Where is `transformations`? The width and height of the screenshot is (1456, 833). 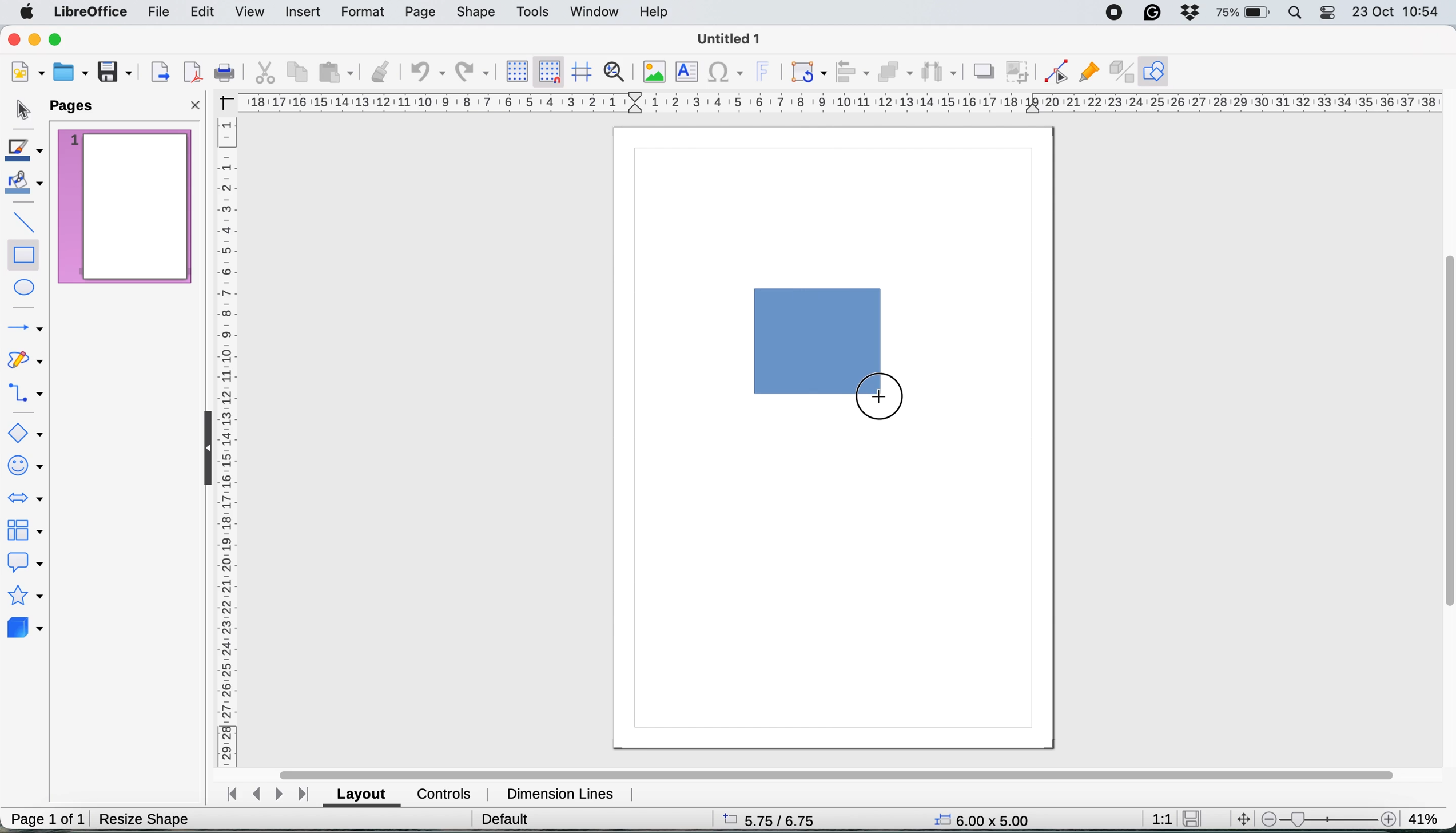 transformations is located at coordinates (807, 73).